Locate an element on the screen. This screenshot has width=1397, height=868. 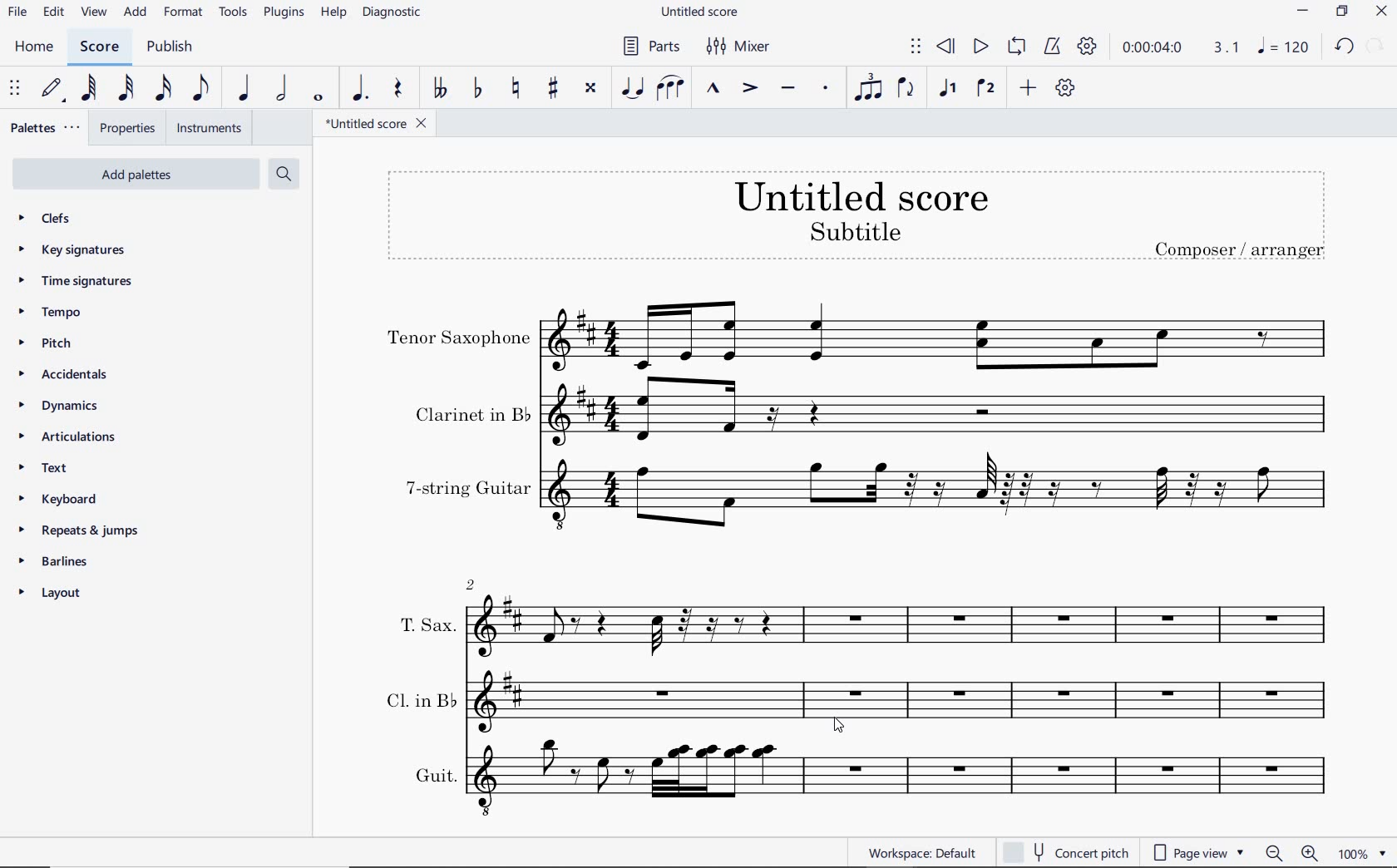
PARTS is located at coordinates (650, 46).